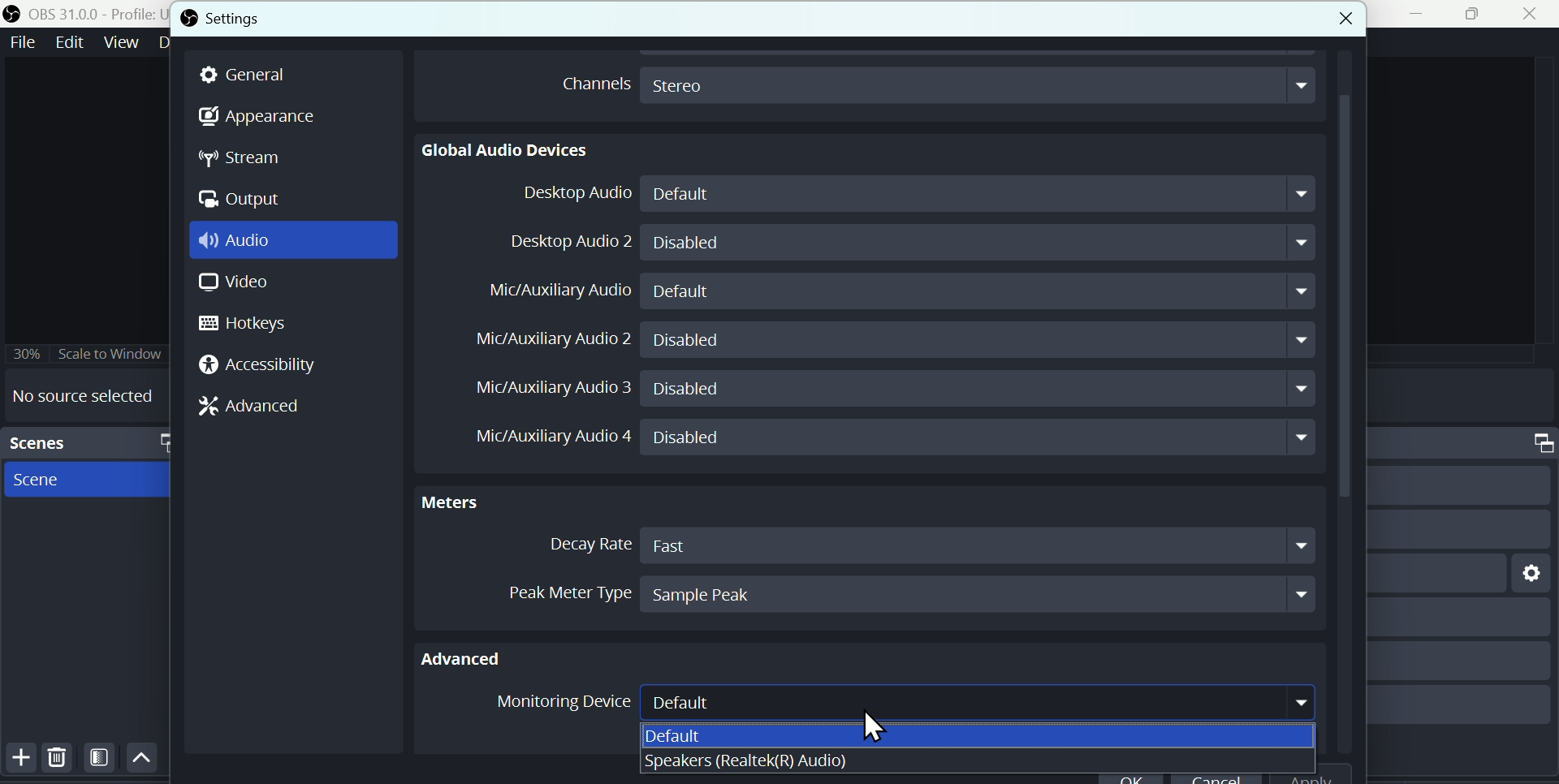 The width and height of the screenshot is (1559, 784). Describe the element at coordinates (985, 194) in the screenshot. I see `Default` at that location.